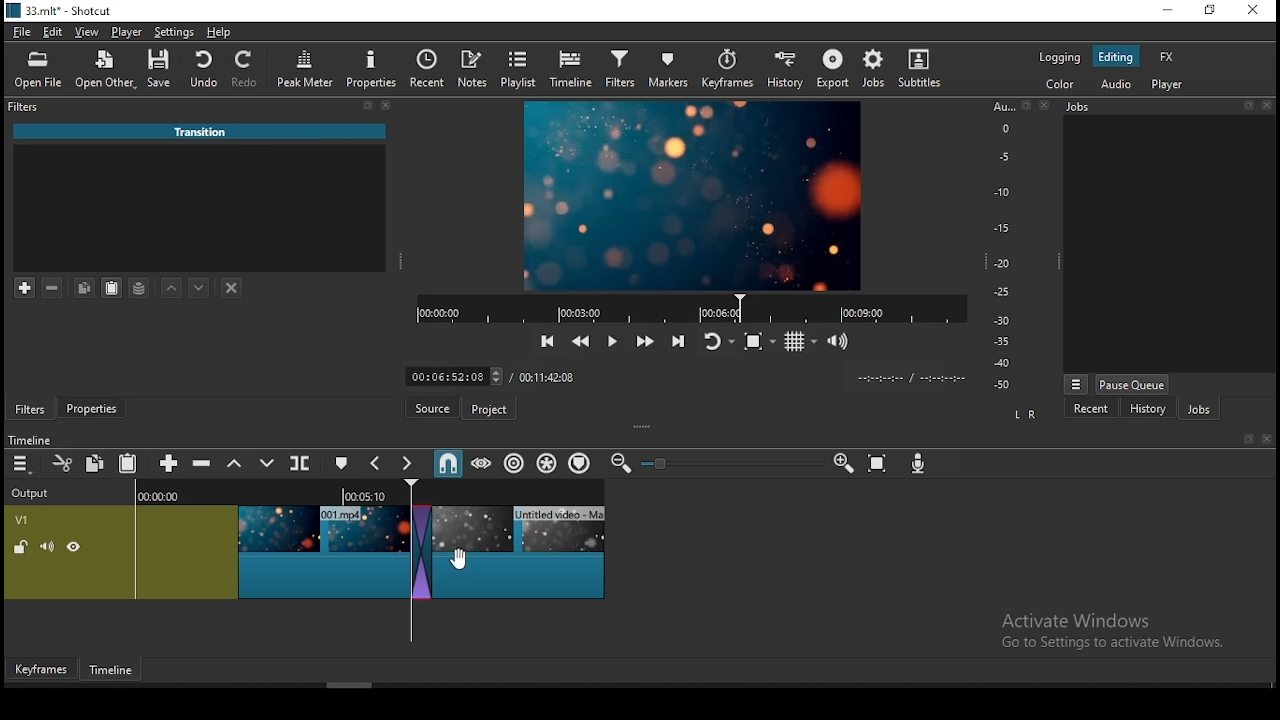 Image resolution: width=1280 pixels, height=720 pixels. Describe the element at coordinates (455, 374) in the screenshot. I see `elapsed time` at that location.